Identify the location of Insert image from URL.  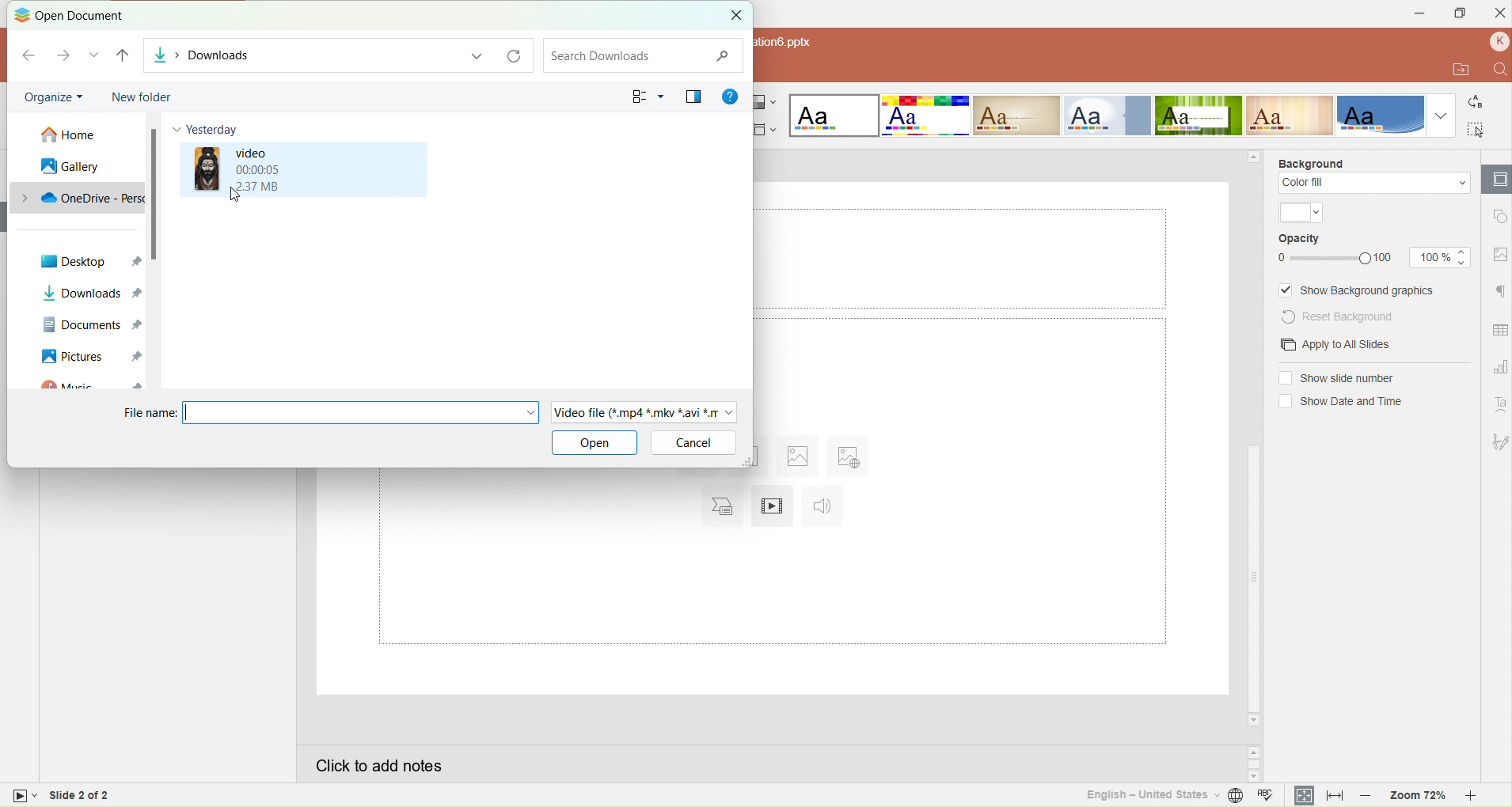
(847, 457).